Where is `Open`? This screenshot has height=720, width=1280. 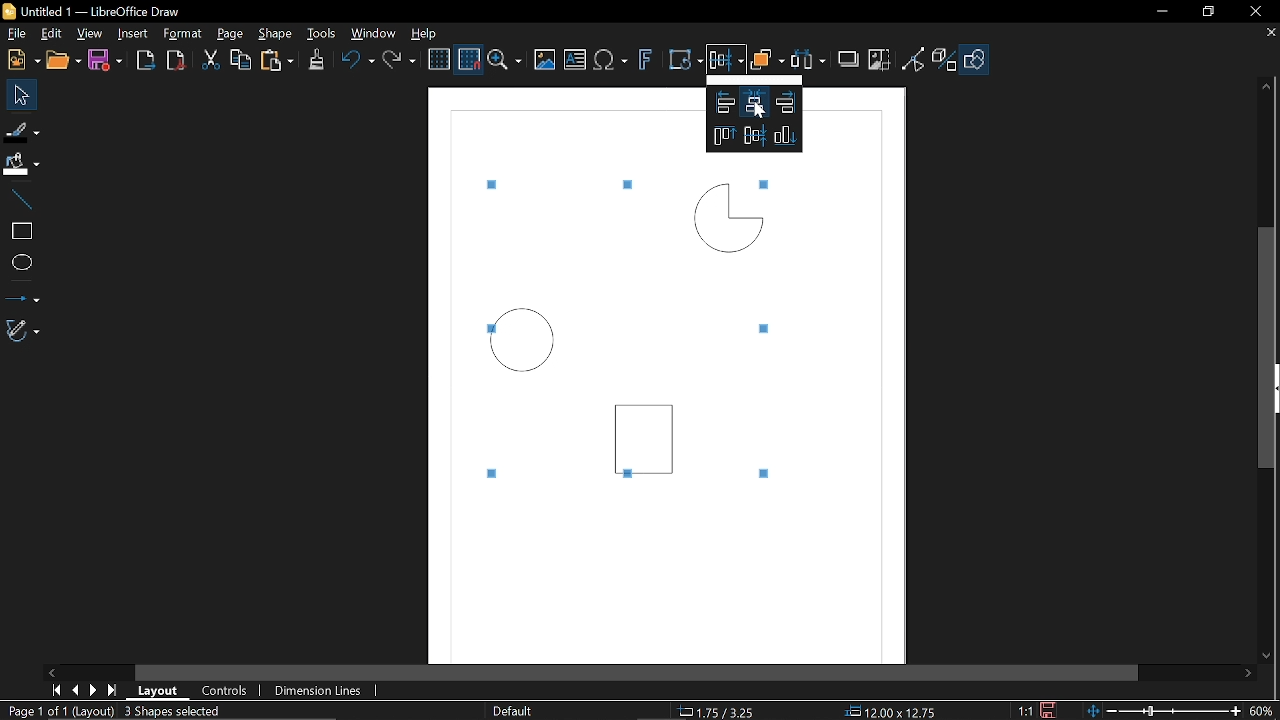
Open is located at coordinates (62, 61).